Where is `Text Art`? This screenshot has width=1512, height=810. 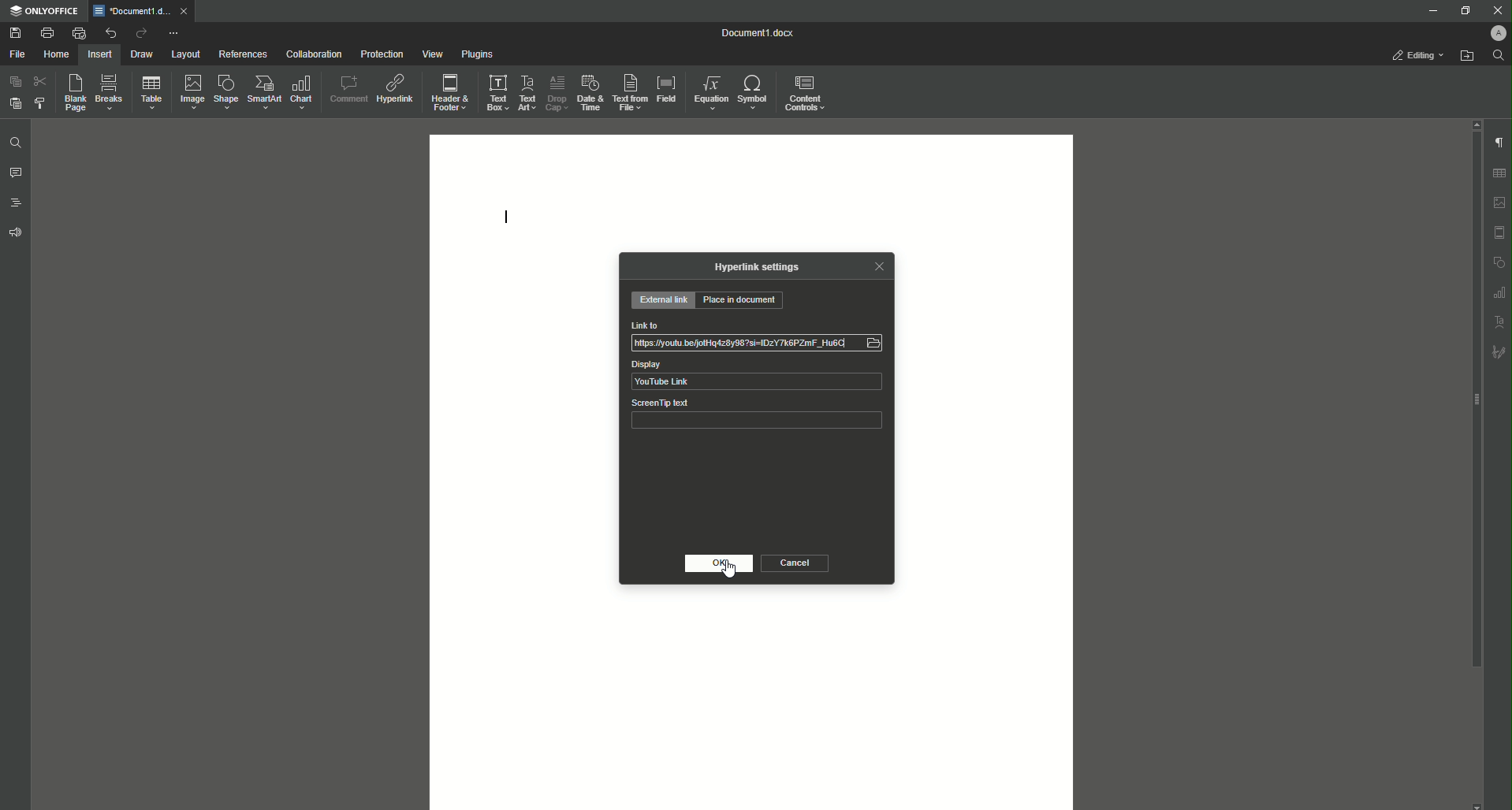
Text Art is located at coordinates (528, 93).